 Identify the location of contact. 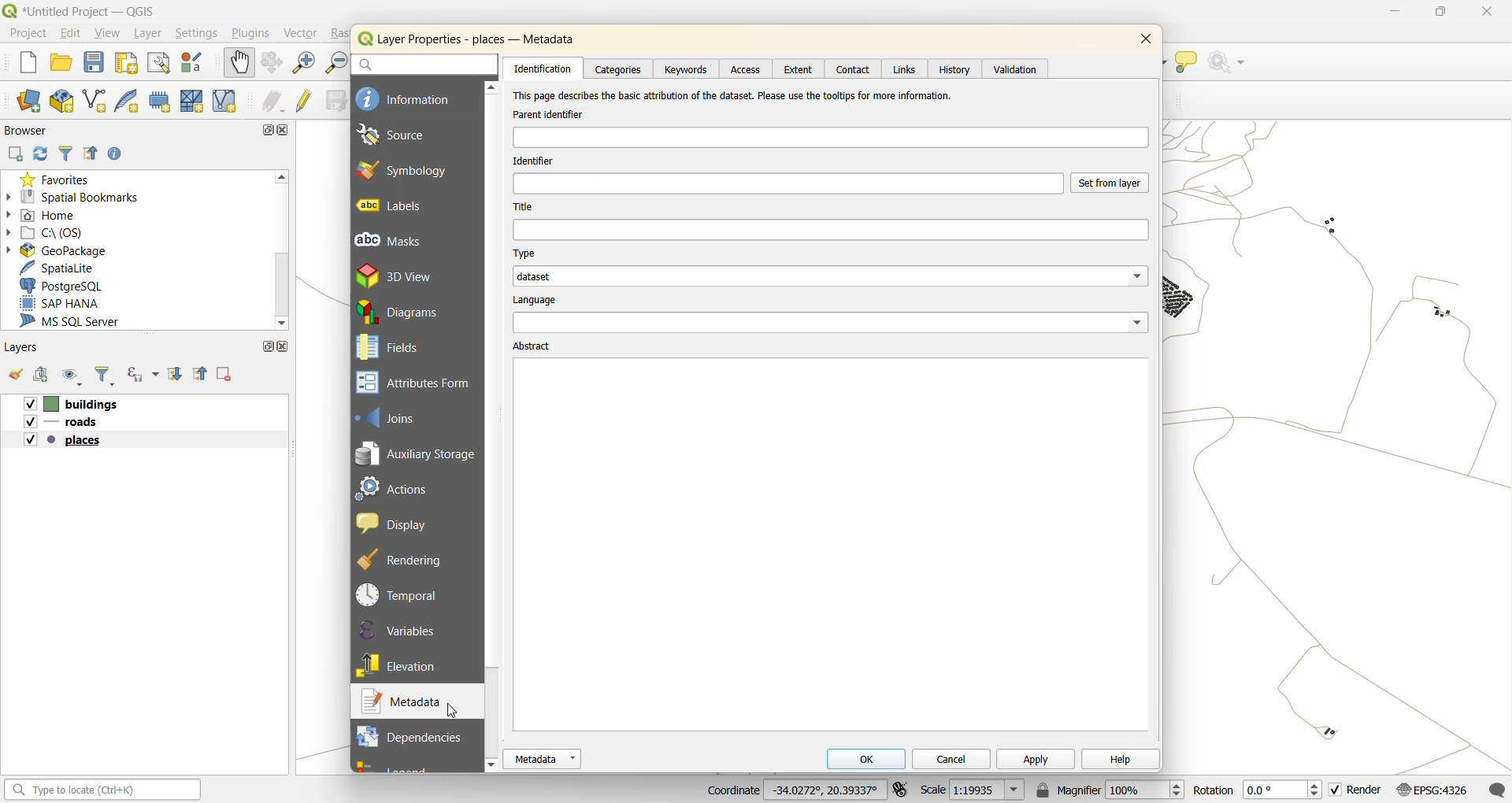
(856, 68).